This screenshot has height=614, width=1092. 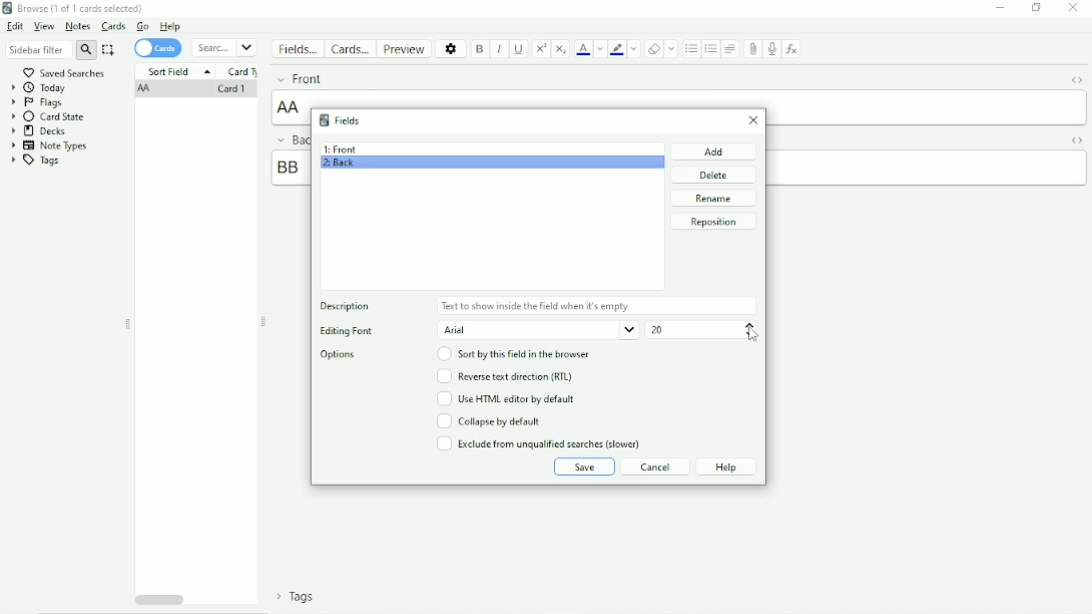 I want to click on Increment value, so click(x=750, y=325).